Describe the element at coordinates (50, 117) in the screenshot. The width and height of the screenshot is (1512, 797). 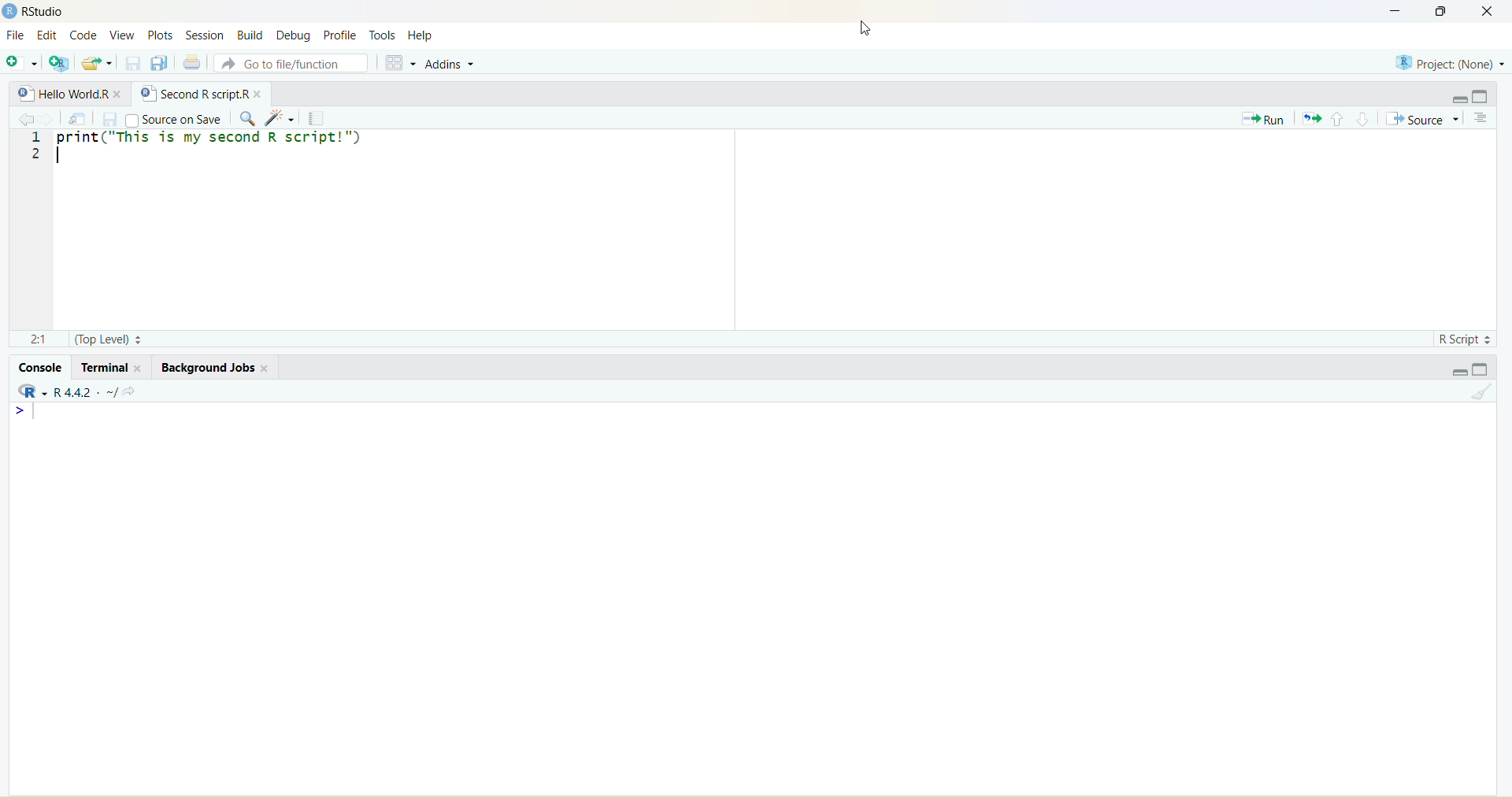
I see `Go forward to the next source location (Ctrl + F10)` at that location.